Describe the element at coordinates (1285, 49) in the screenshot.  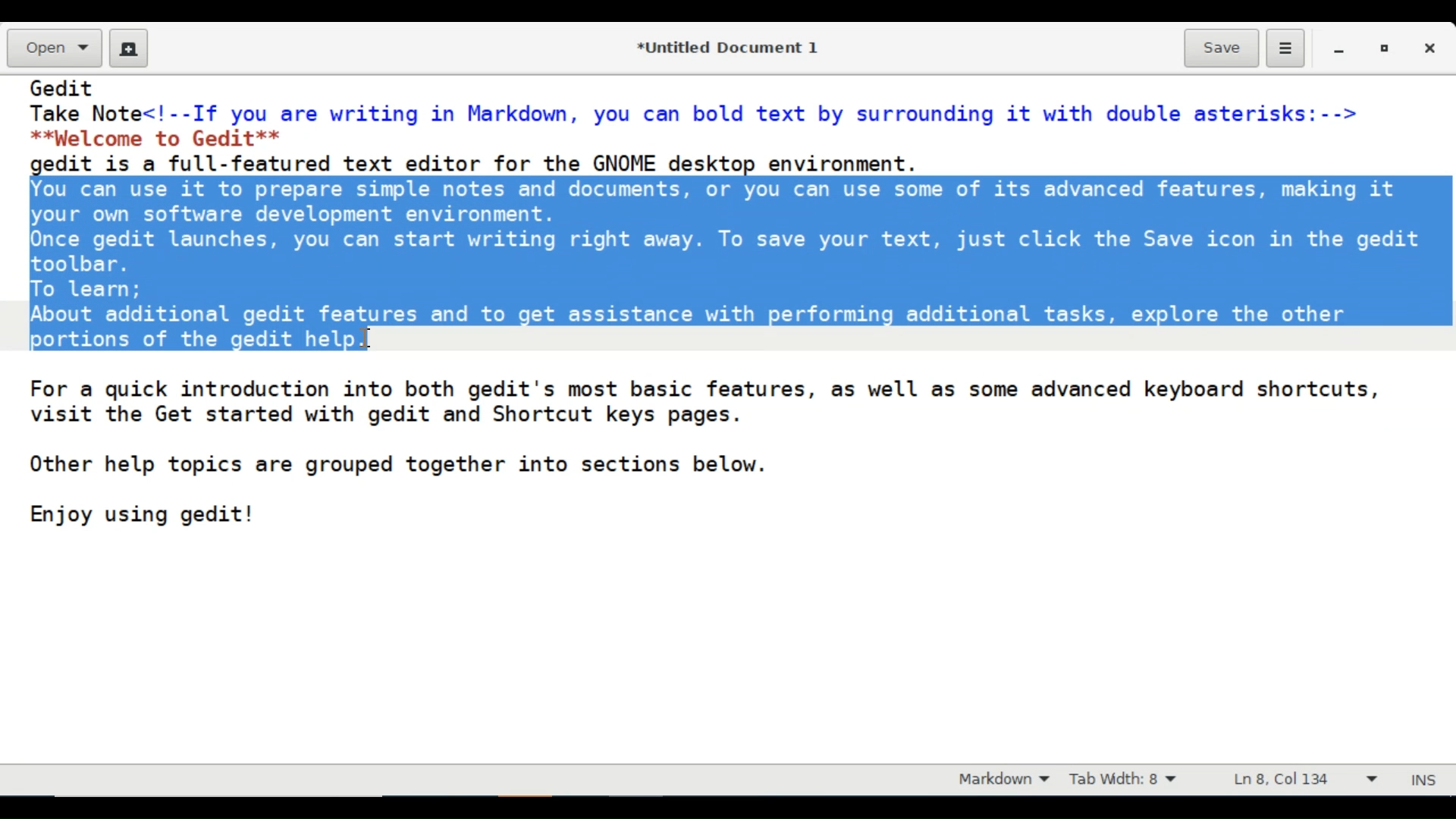
I see `Application menu` at that location.